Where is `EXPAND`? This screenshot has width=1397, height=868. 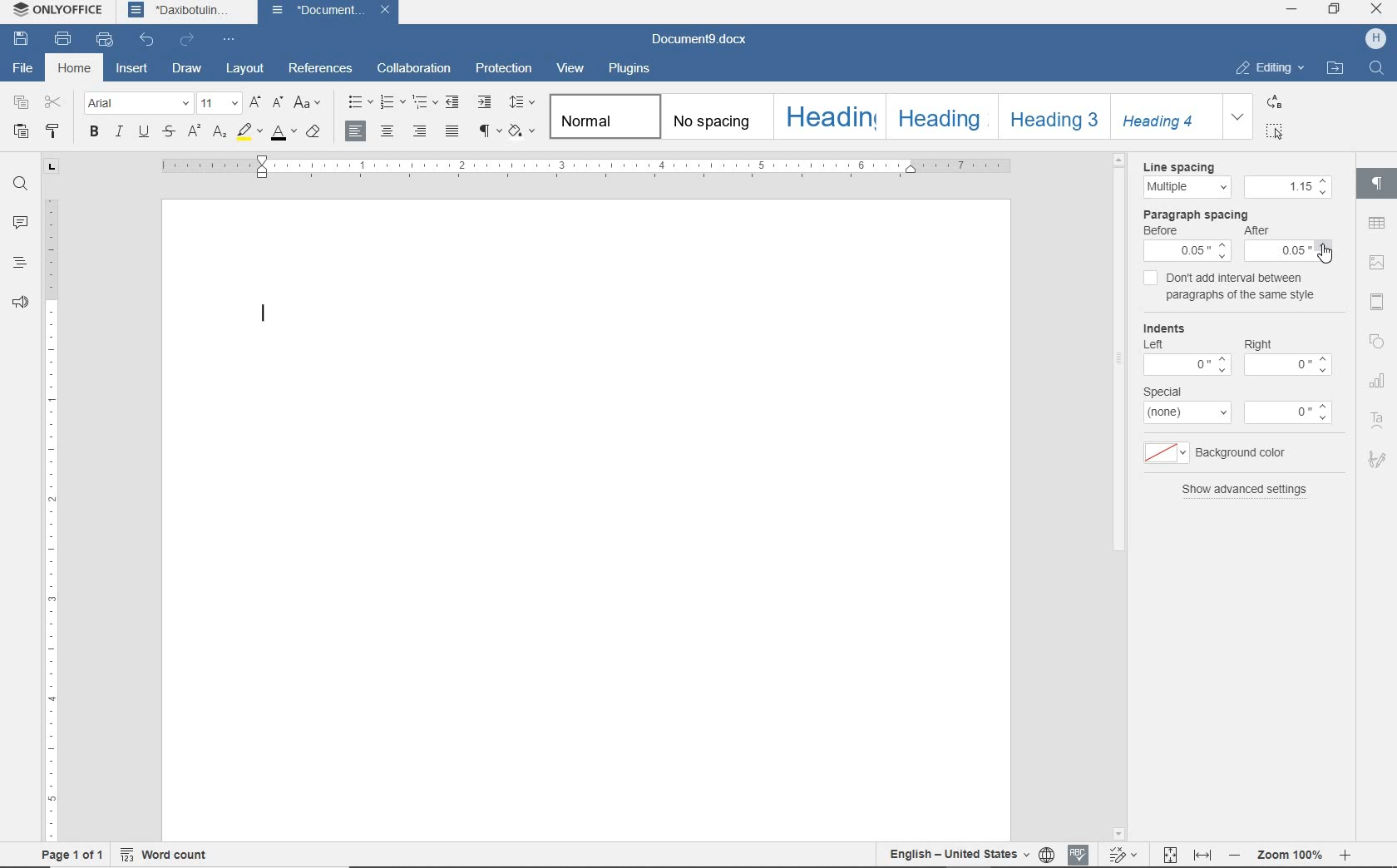
EXPAND is located at coordinates (1239, 117).